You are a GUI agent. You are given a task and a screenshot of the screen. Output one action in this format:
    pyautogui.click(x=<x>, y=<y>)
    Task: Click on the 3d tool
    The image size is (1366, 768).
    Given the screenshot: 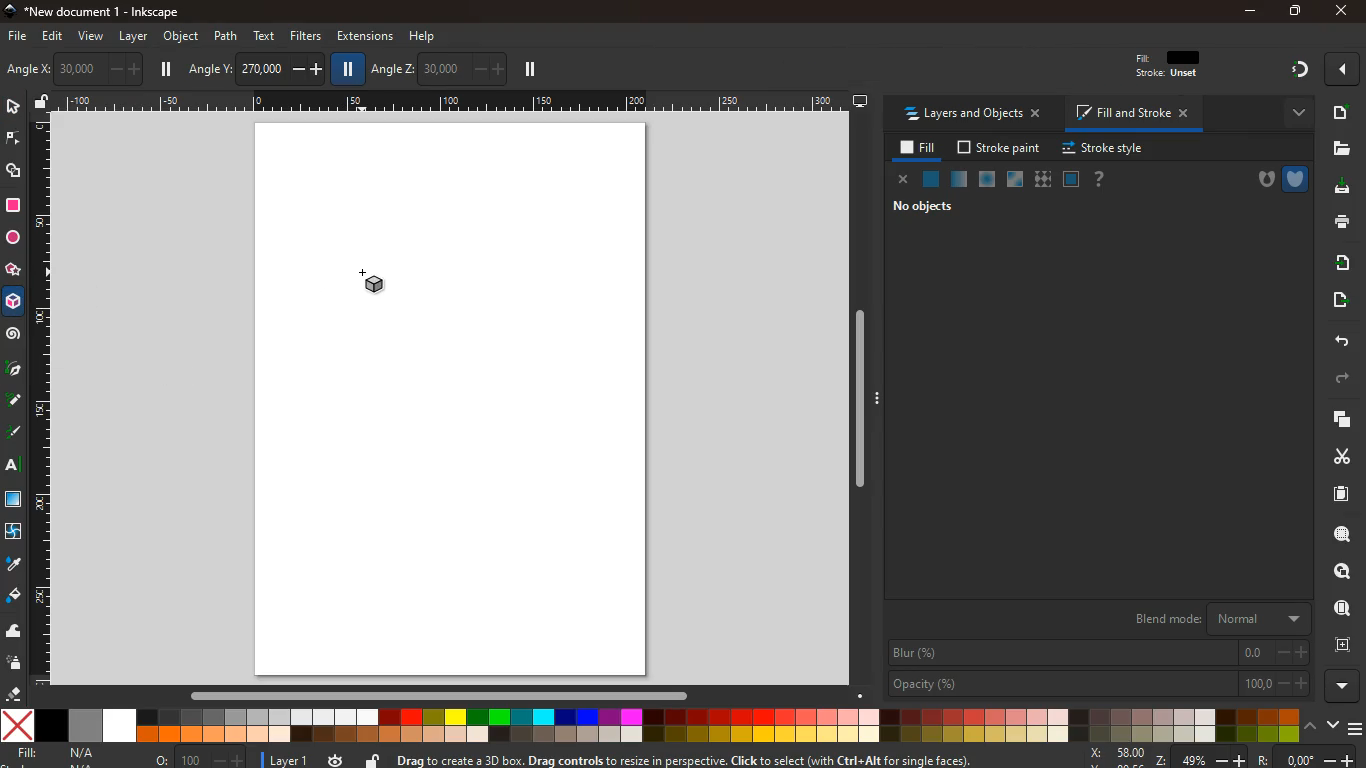 What is the action you would take?
    pyautogui.click(x=382, y=287)
    